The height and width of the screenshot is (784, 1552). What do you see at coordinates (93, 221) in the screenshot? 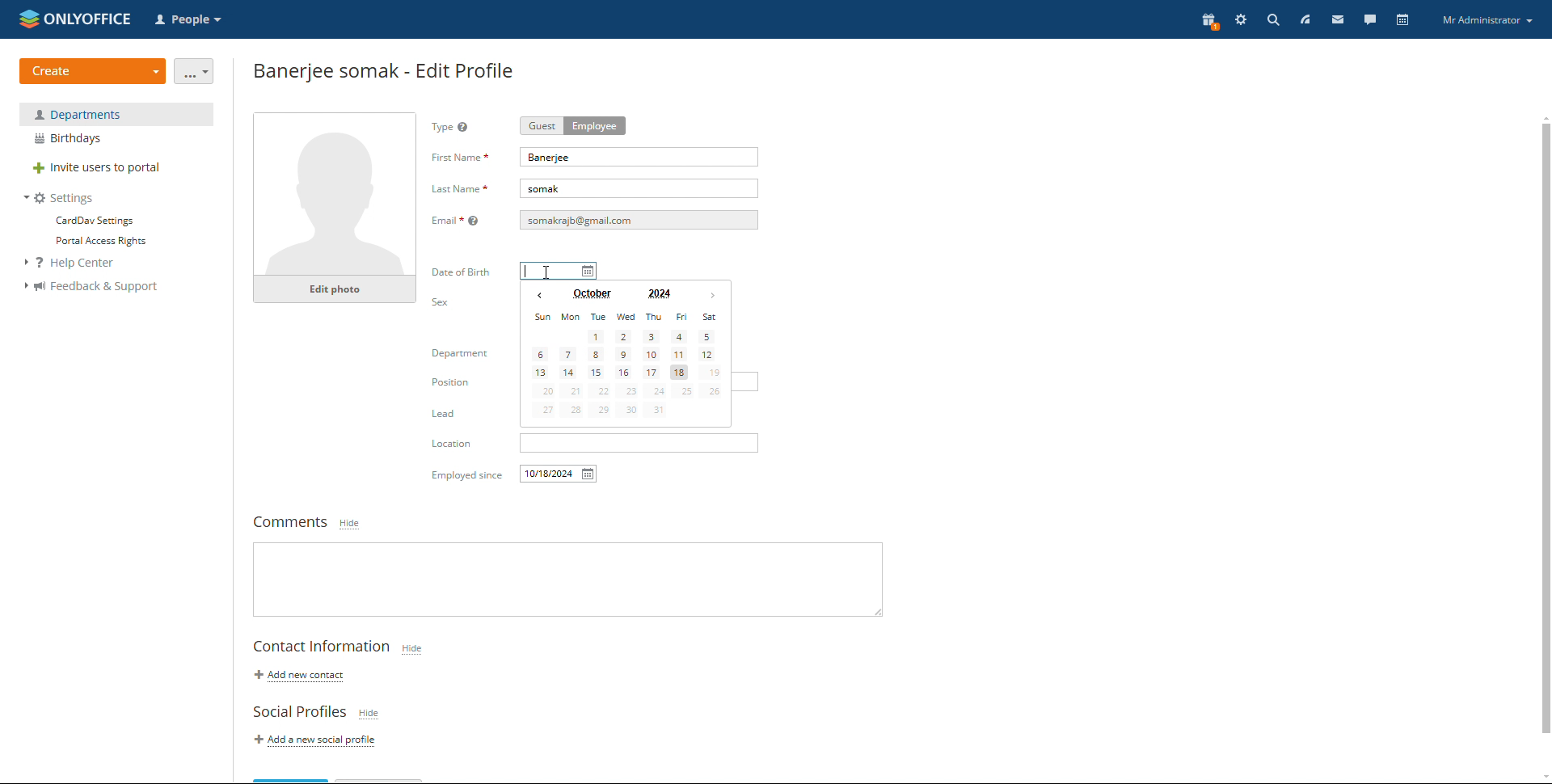
I see `carddev settings` at bounding box center [93, 221].